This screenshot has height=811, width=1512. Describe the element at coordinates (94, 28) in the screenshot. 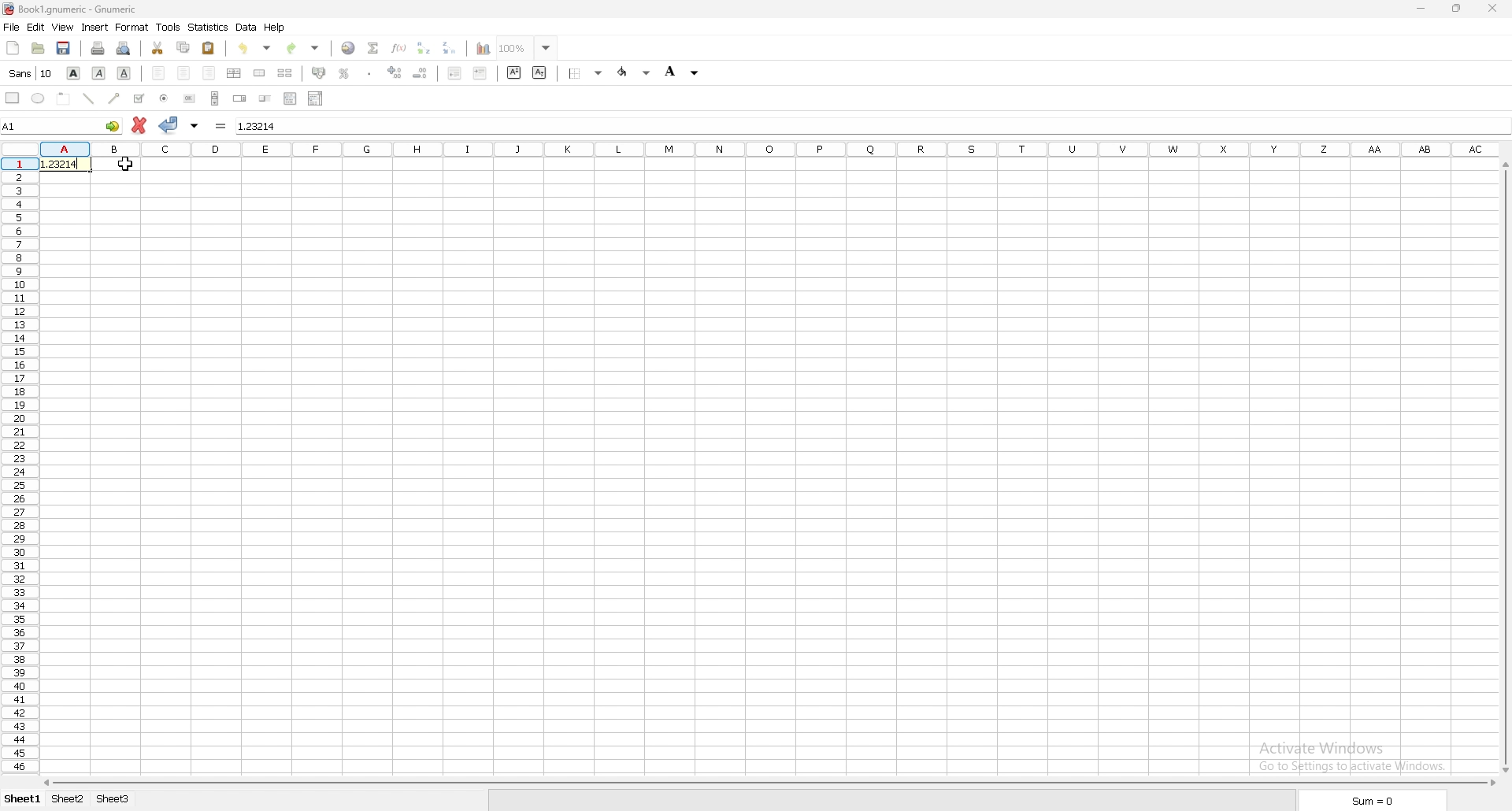

I see `insert` at that location.